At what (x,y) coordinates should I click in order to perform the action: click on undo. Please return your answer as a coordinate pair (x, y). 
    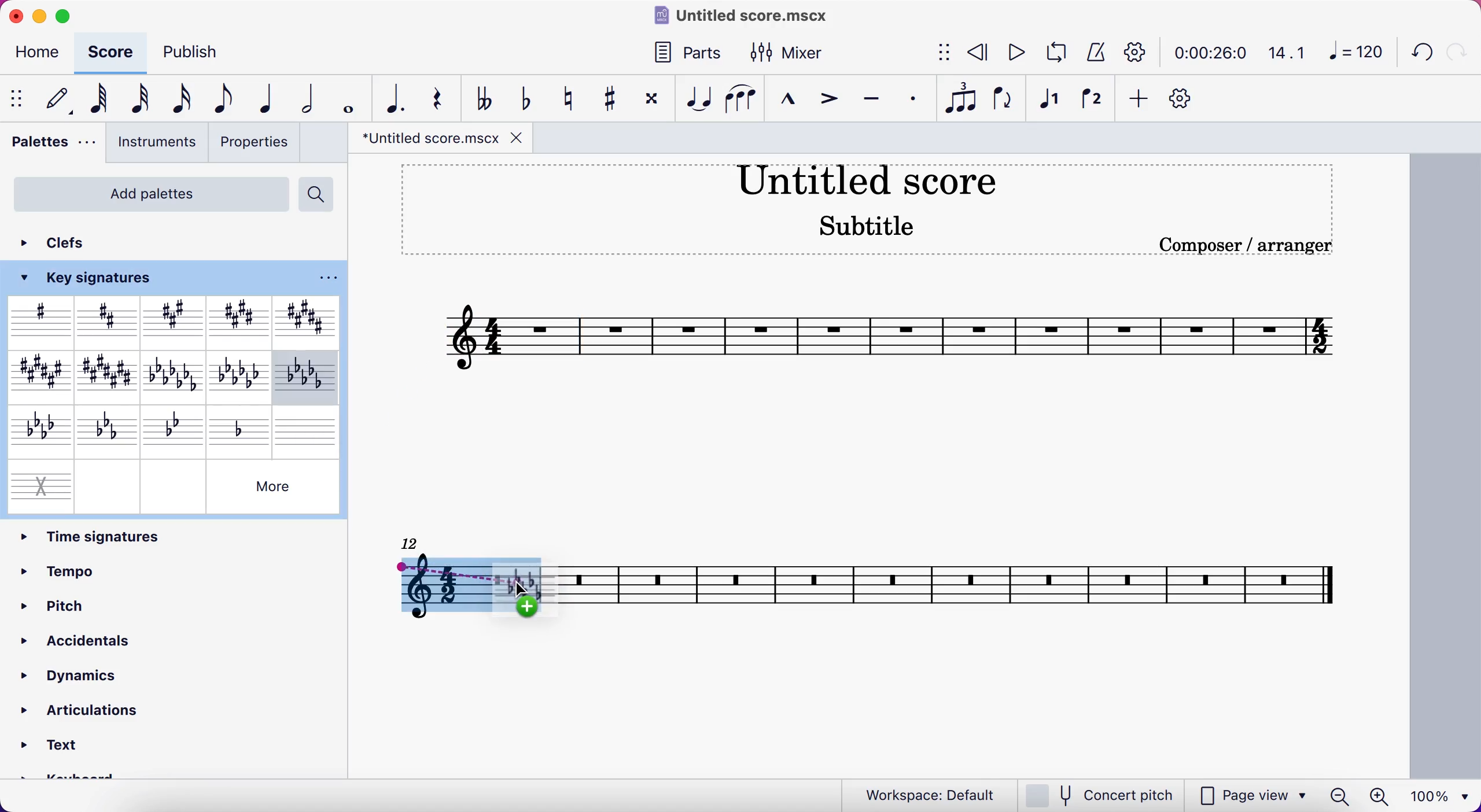
    Looking at the image, I should click on (1417, 54).